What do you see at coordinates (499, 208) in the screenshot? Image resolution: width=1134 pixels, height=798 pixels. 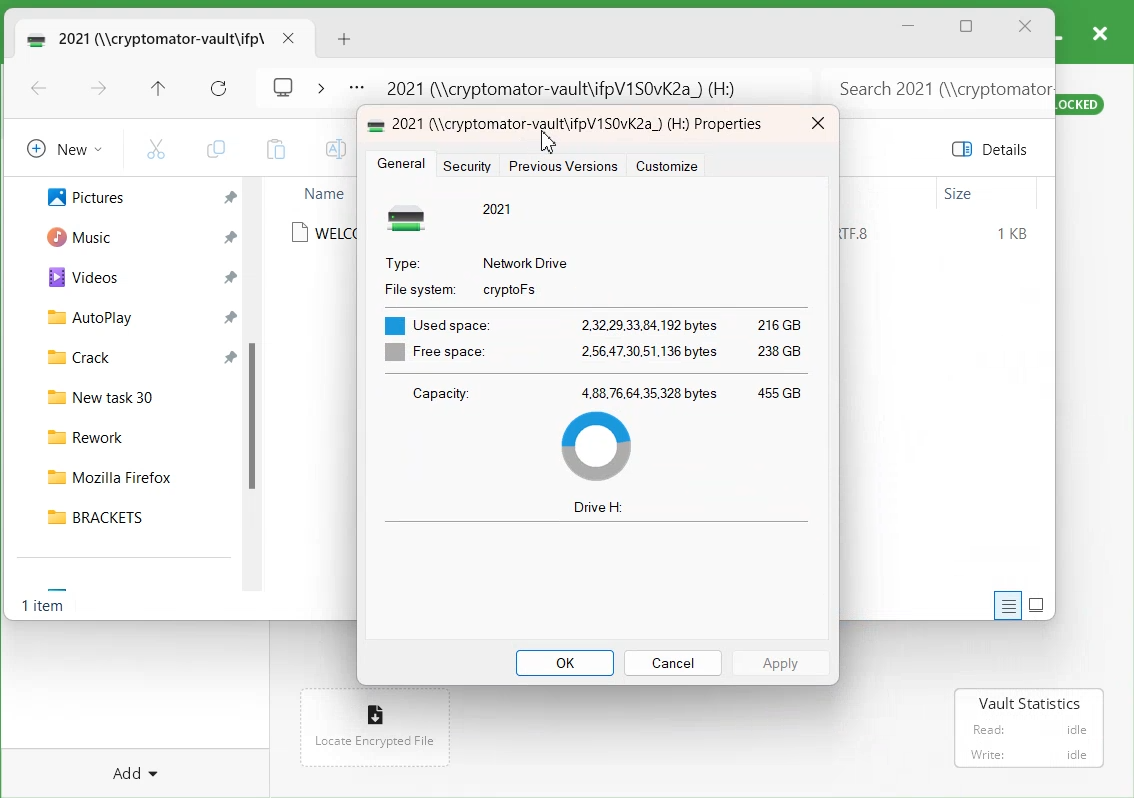 I see `2021` at bounding box center [499, 208].